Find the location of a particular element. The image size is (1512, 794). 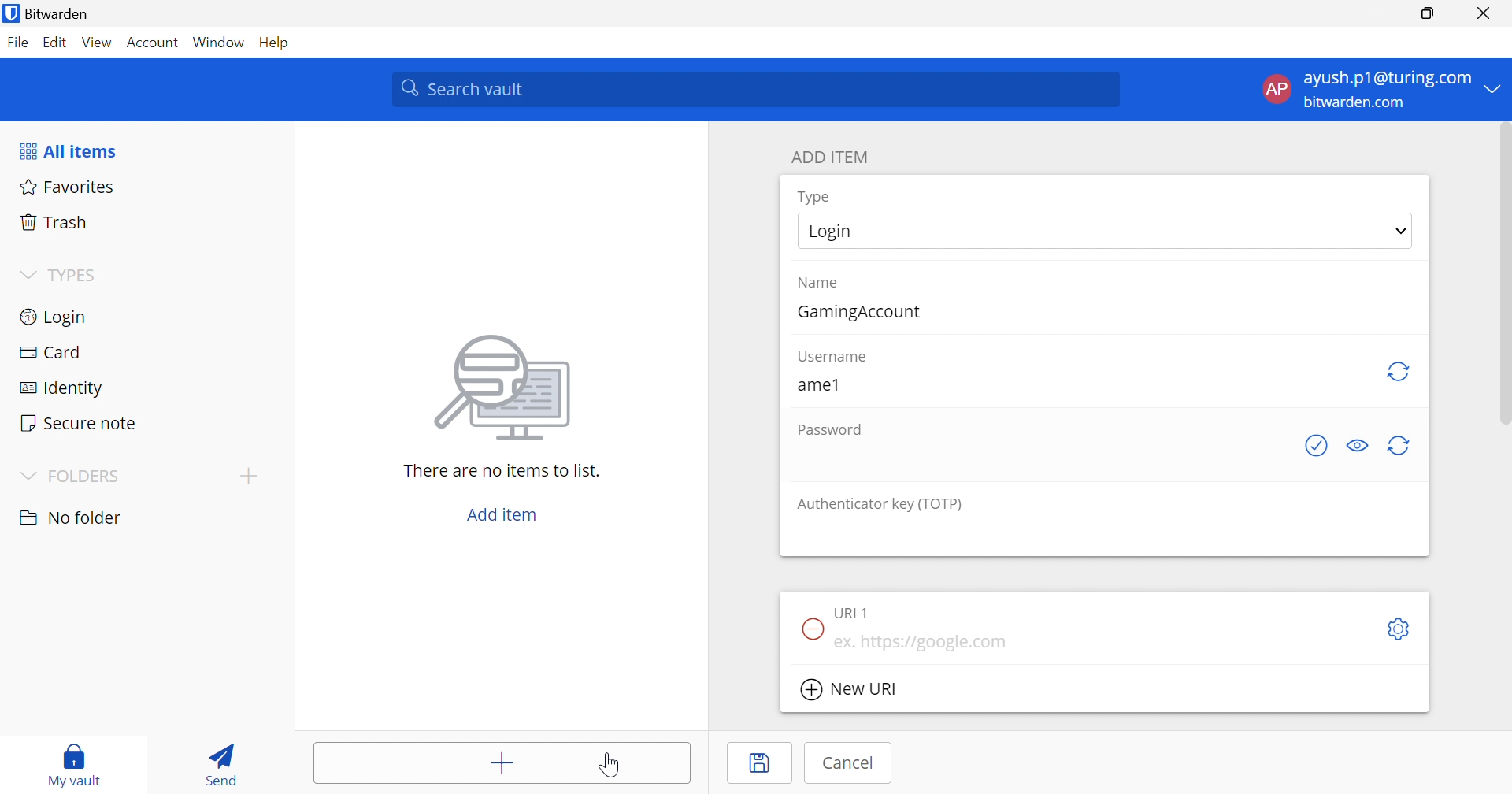

ADD ITEM is located at coordinates (834, 158).